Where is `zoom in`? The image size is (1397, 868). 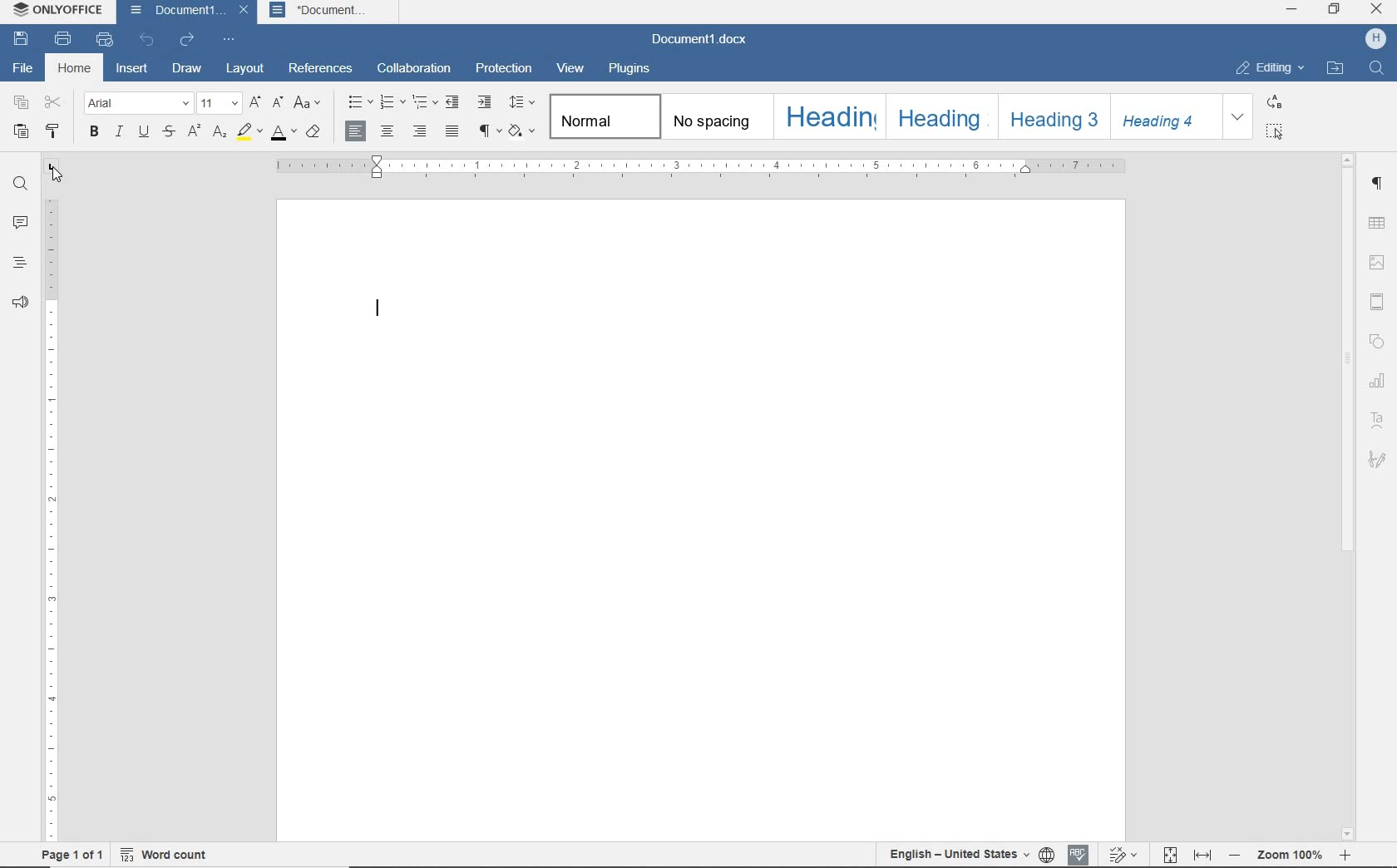
zoom in is located at coordinates (1348, 856).